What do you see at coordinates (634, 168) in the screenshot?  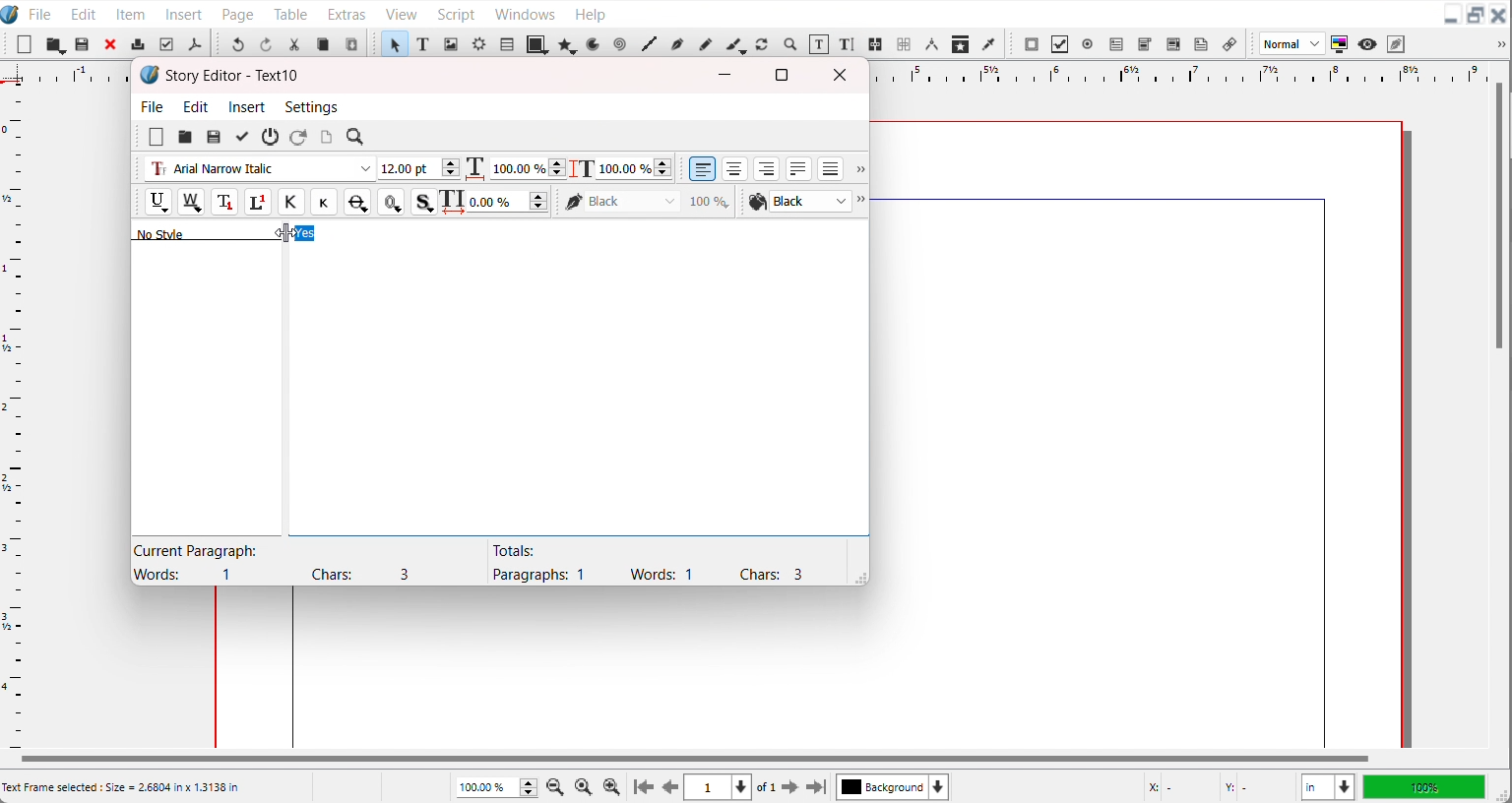 I see `Text Height Adjuster` at bounding box center [634, 168].